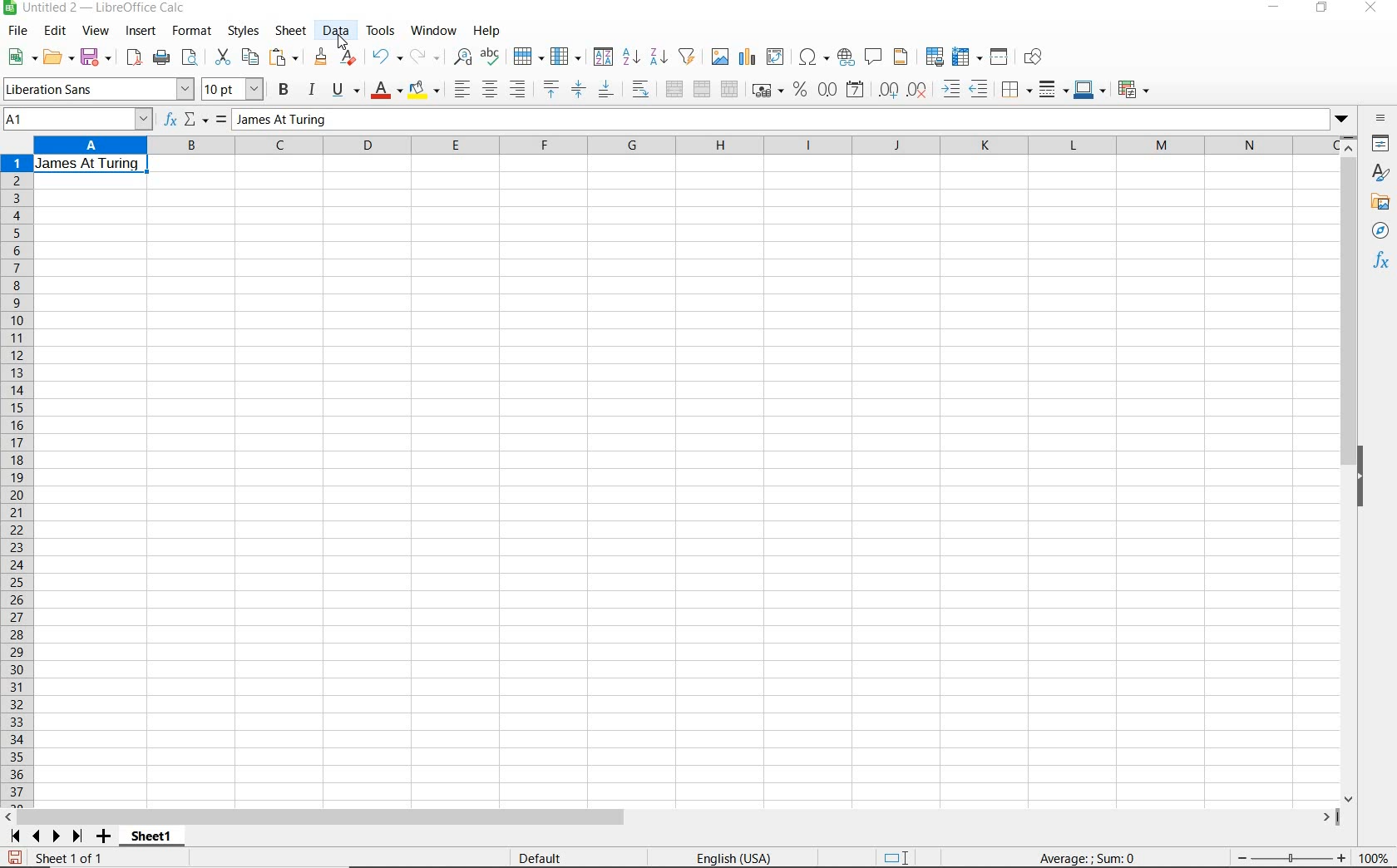 This screenshot has width=1397, height=868. Describe the element at coordinates (221, 57) in the screenshot. I see `cut` at that location.